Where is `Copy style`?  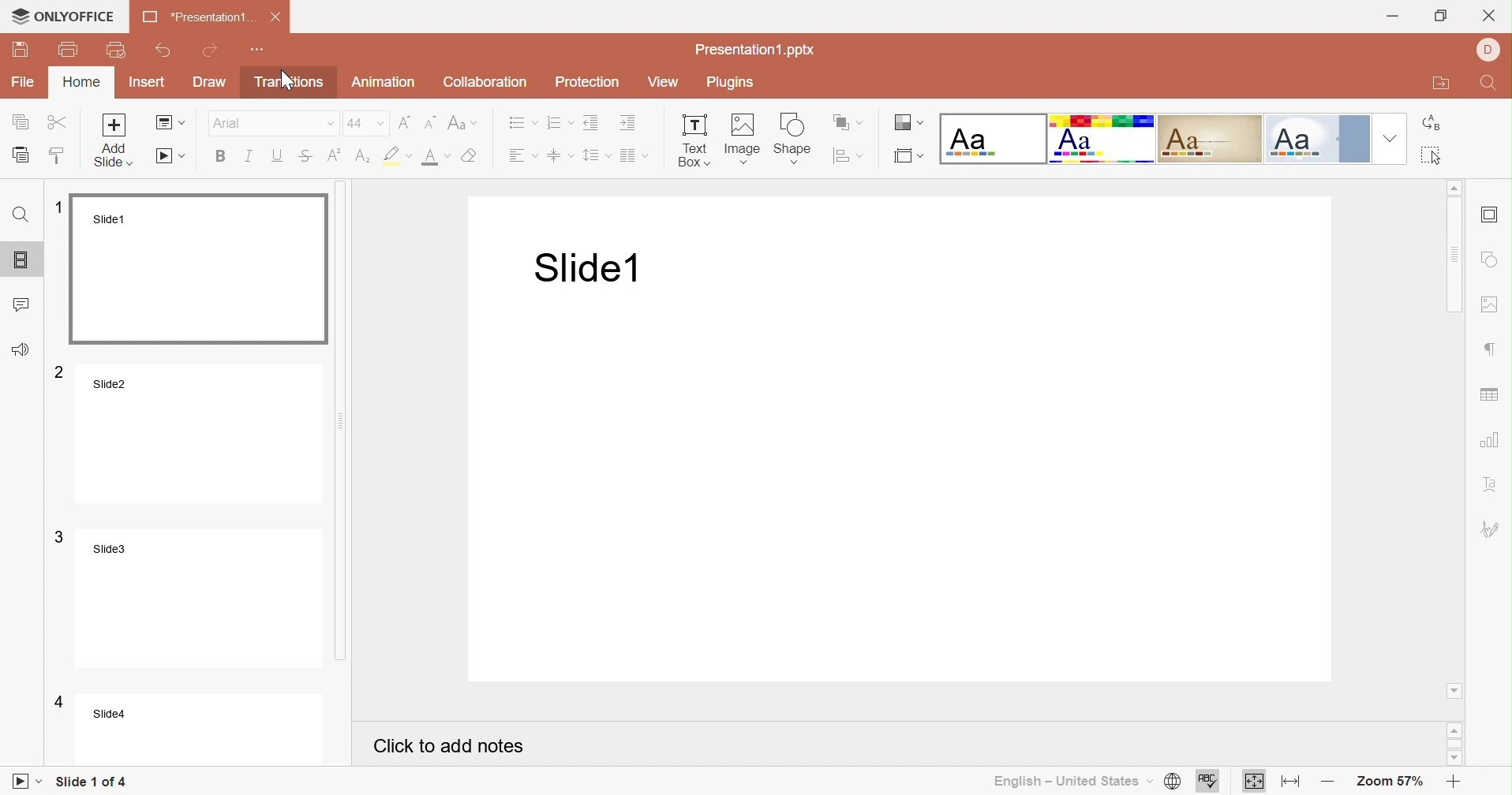
Copy style is located at coordinates (58, 157).